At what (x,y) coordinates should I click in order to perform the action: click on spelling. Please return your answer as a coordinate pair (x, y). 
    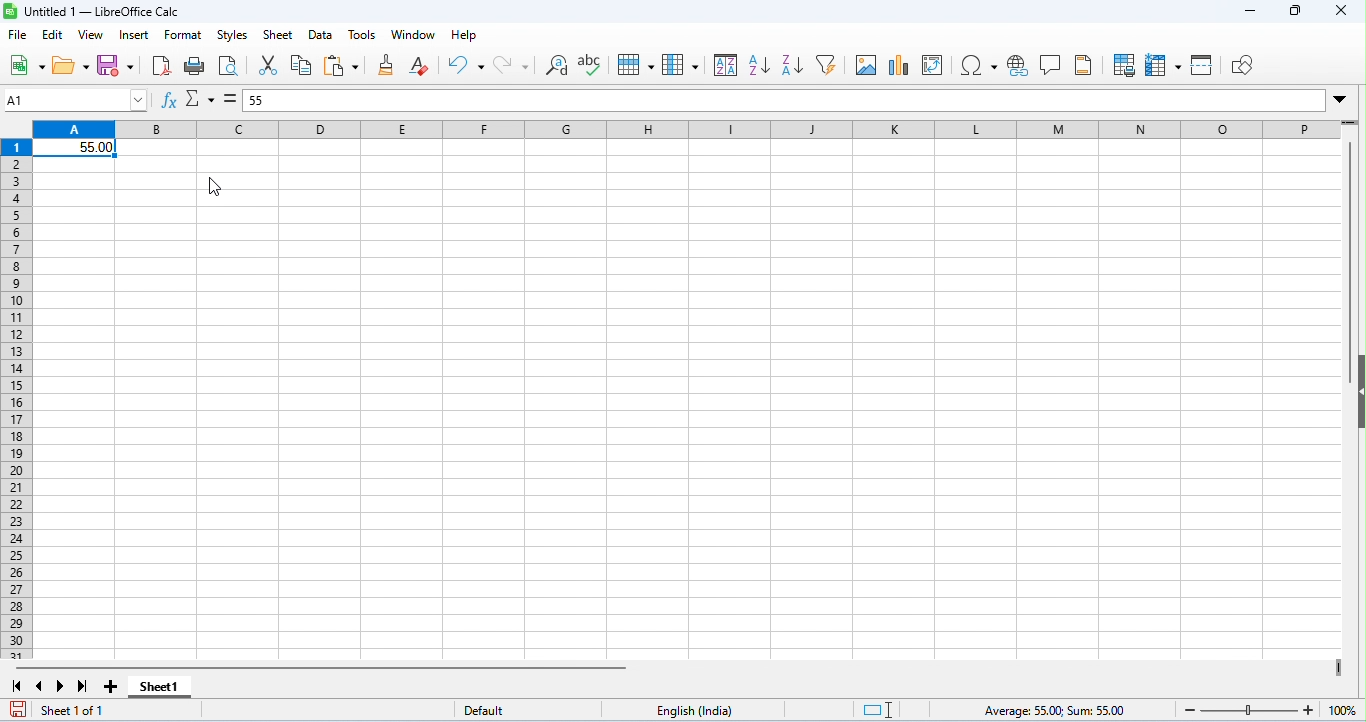
    Looking at the image, I should click on (591, 65).